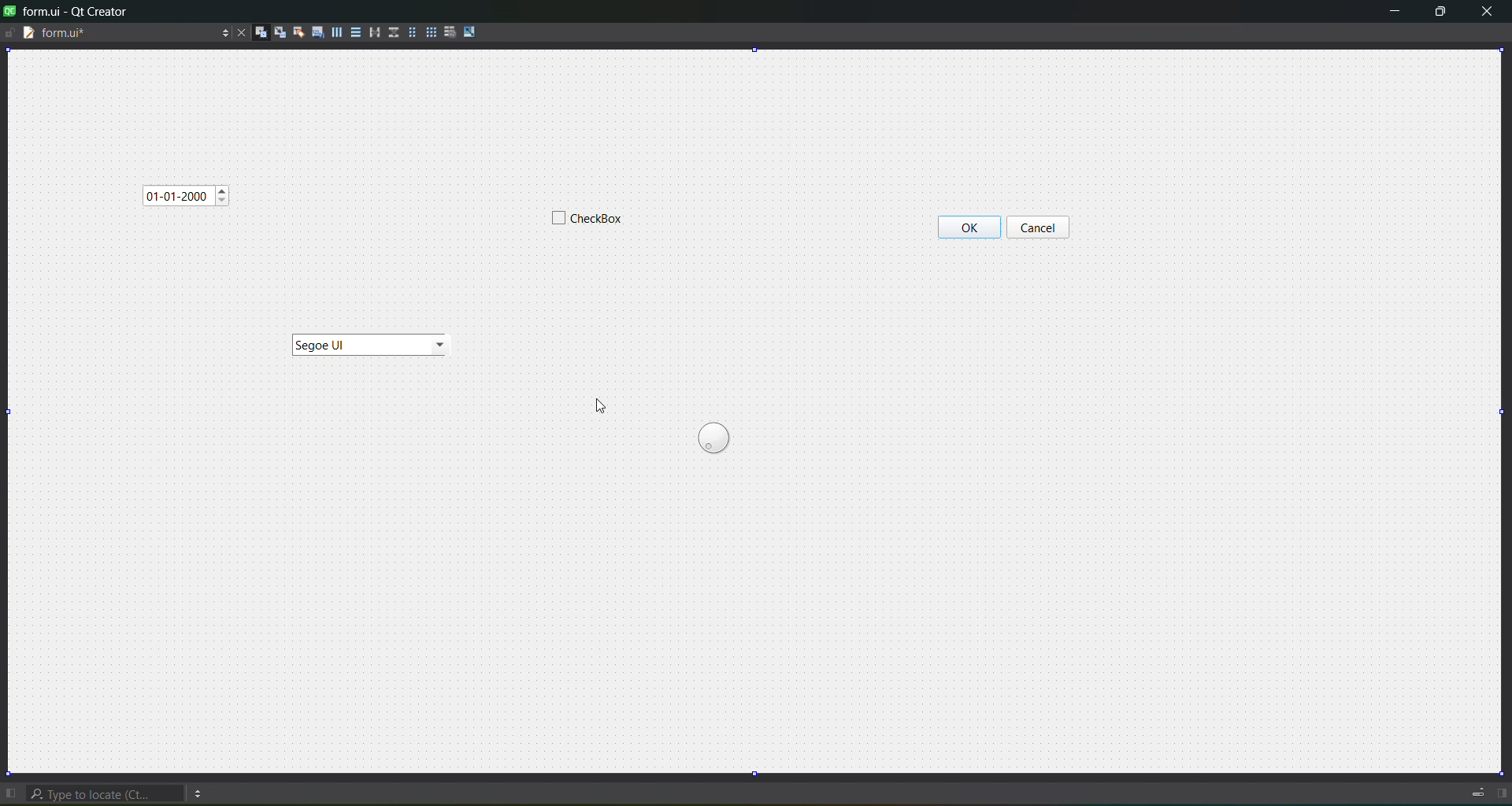 Image resolution: width=1512 pixels, height=806 pixels. Describe the element at coordinates (470, 32) in the screenshot. I see `adjust size` at that location.